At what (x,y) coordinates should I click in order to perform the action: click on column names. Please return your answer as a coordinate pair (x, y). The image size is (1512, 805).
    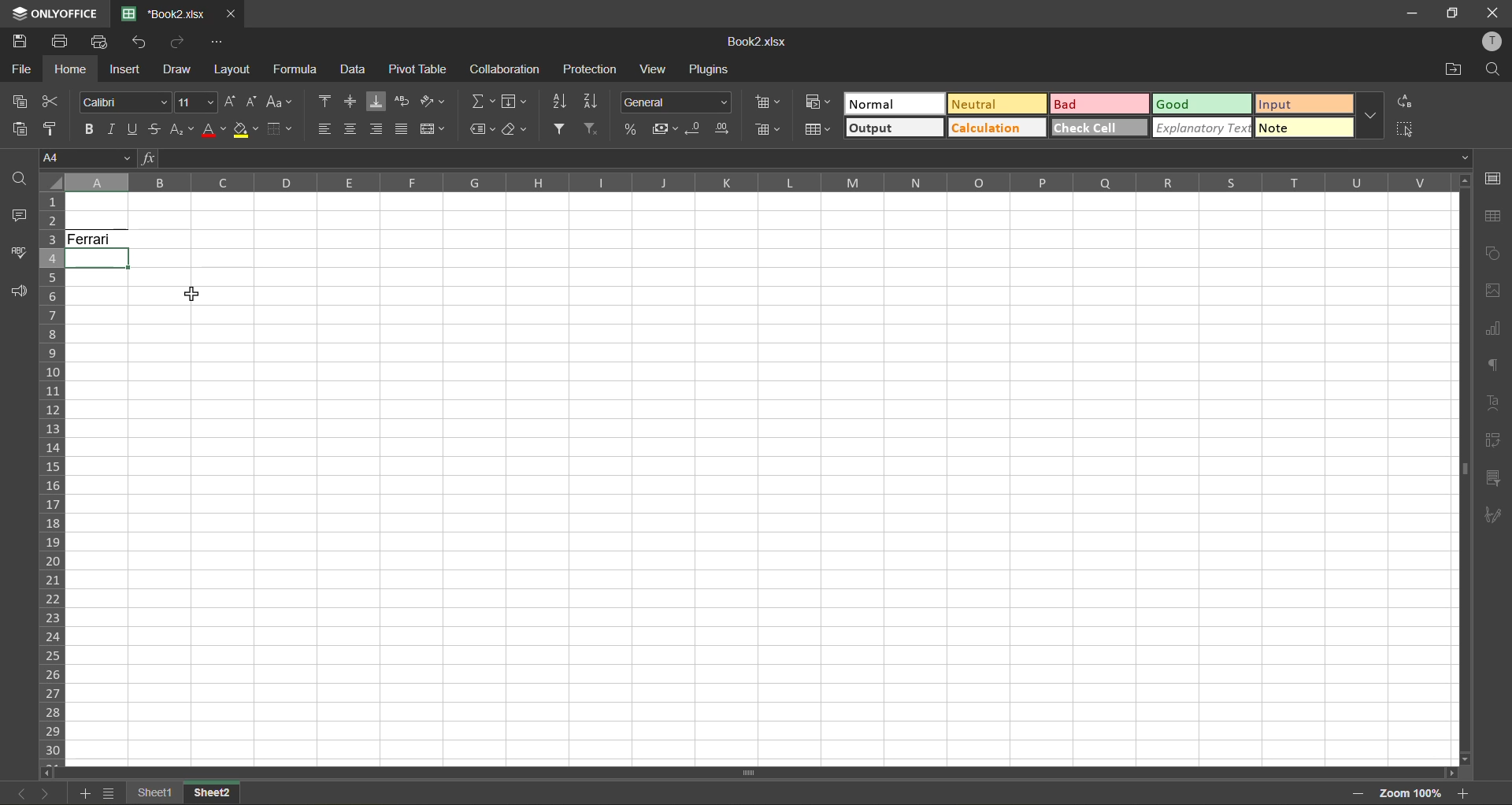
    Looking at the image, I should click on (754, 181).